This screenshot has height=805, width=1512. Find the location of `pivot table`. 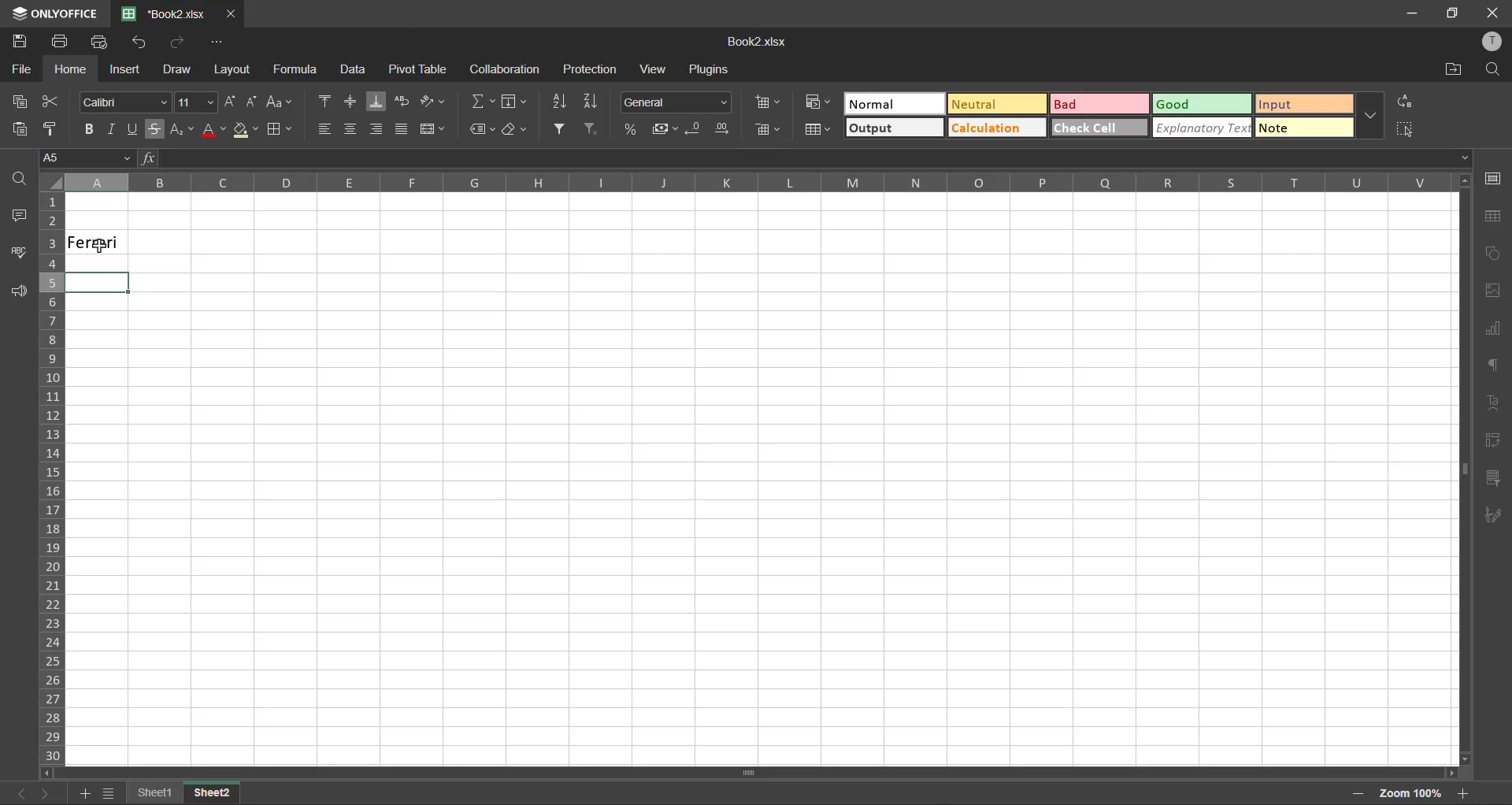

pivot table is located at coordinates (1494, 443).